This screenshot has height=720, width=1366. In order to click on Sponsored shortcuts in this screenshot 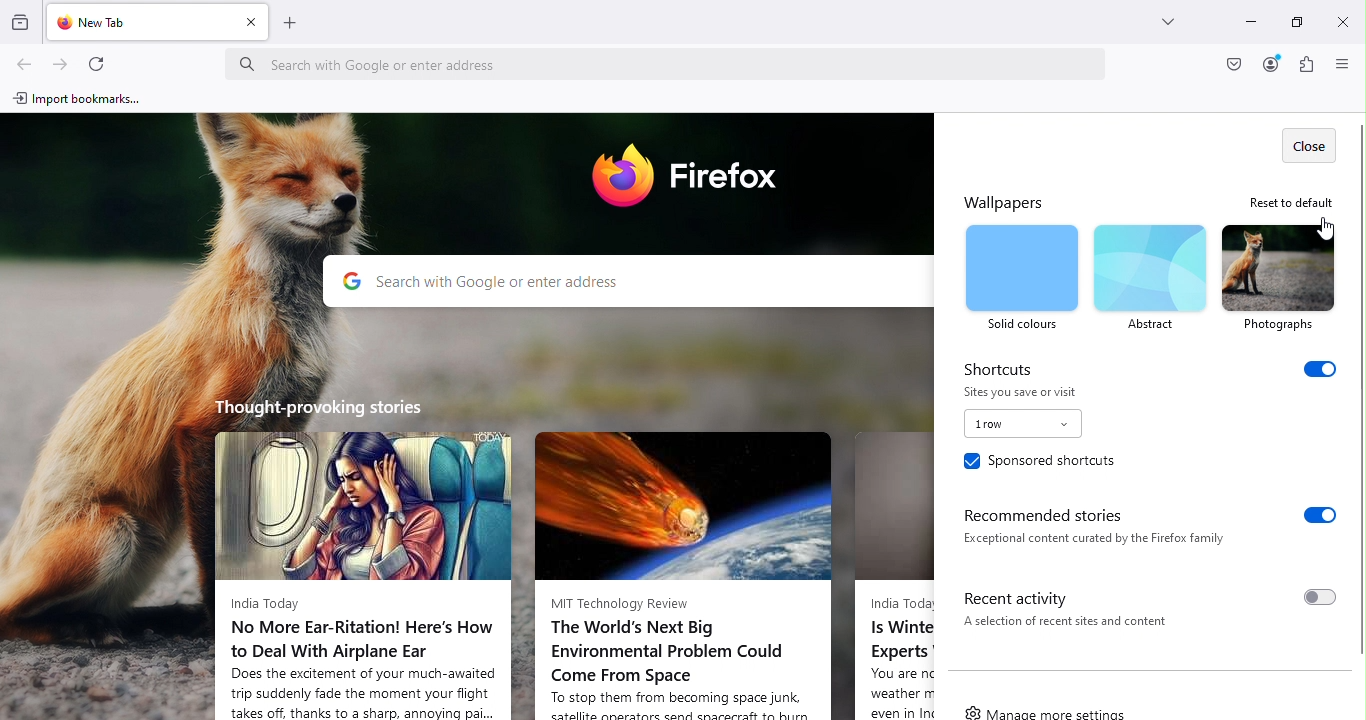, I will do `click(1038, 464)`.